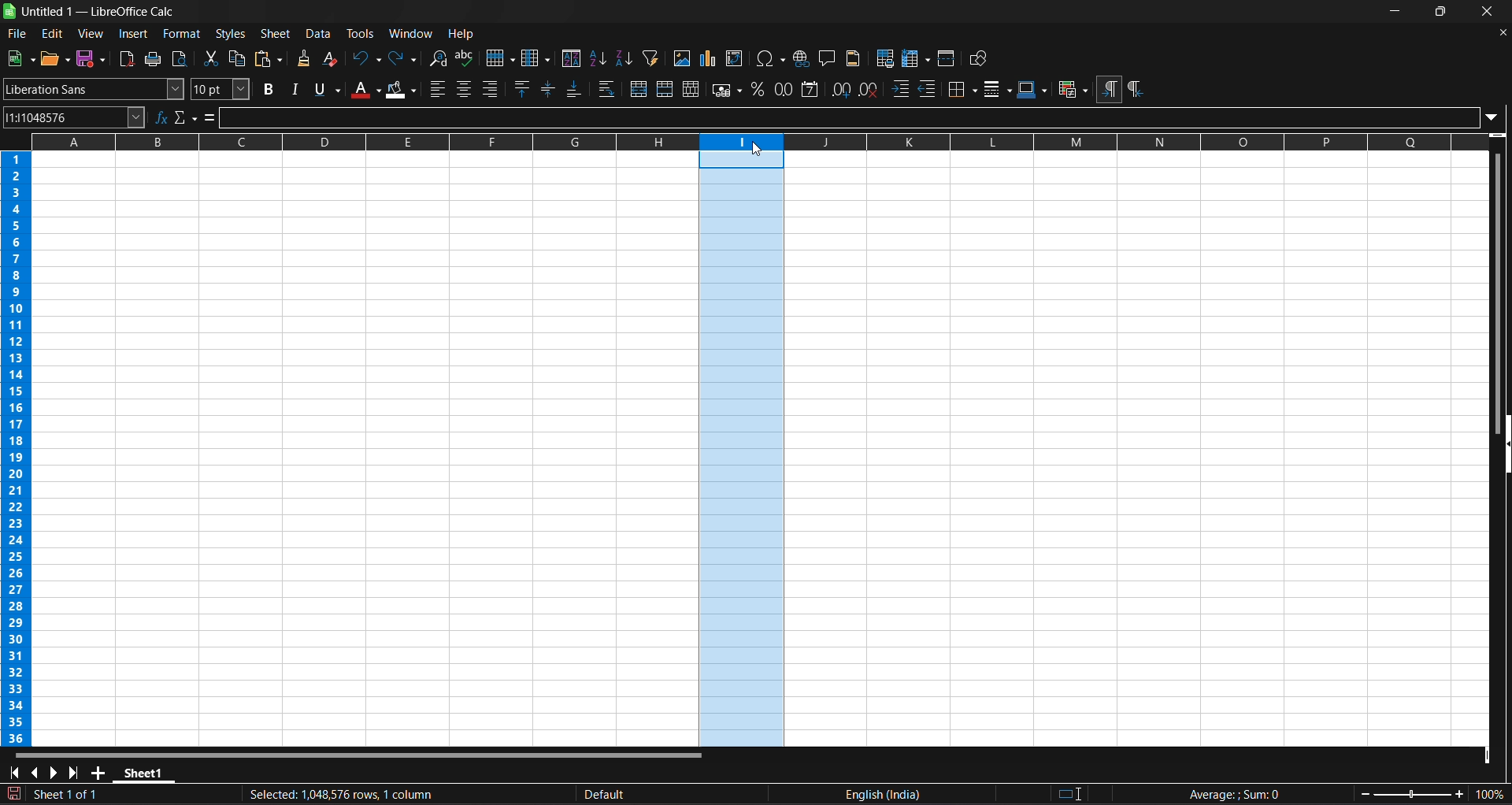  Describe the element at coordinates (900, 87) in the screenshot. I see `increase indent` at that location.